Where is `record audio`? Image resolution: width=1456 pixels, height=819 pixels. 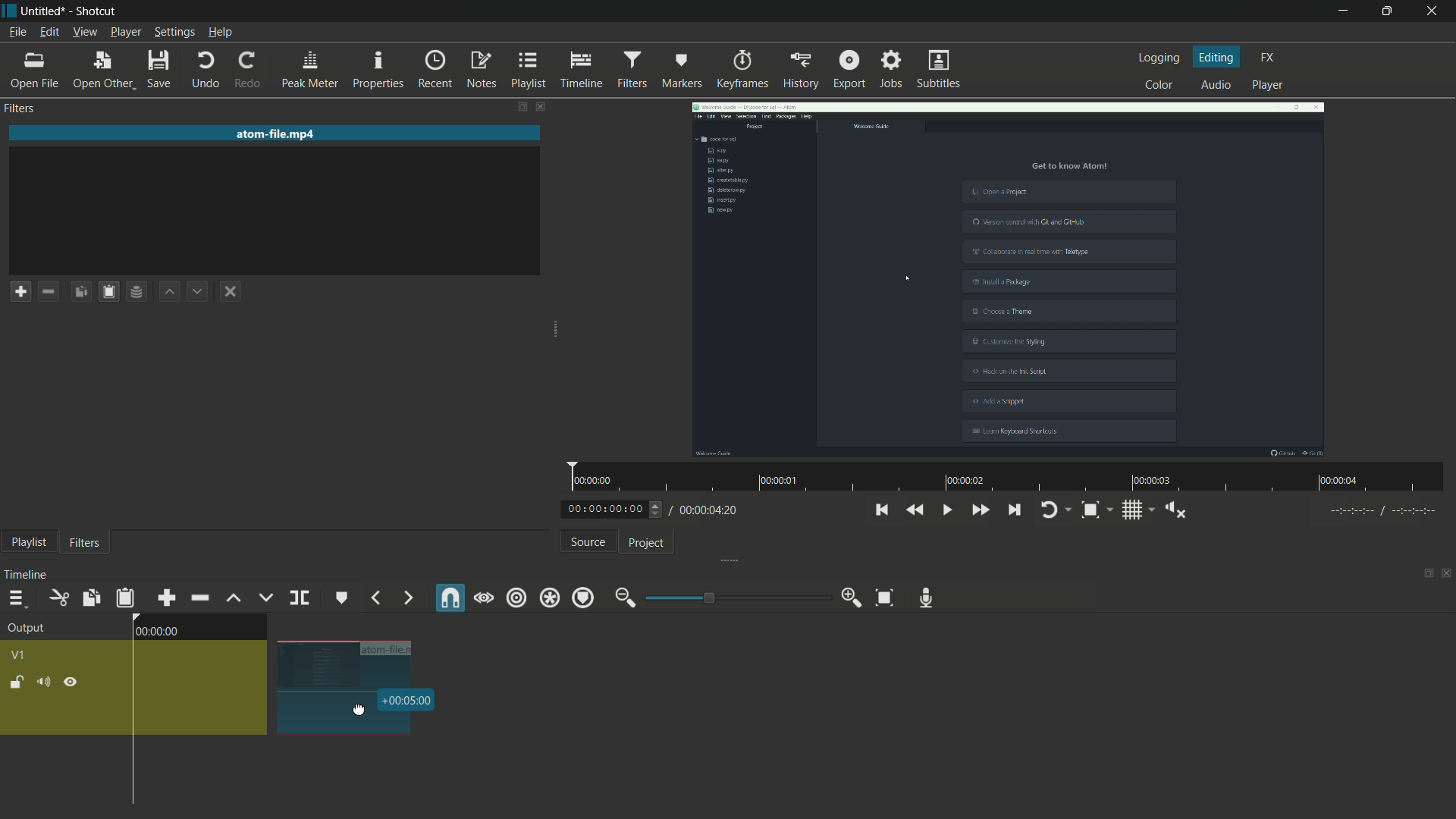
record audio is located at coordinates (927, 598).